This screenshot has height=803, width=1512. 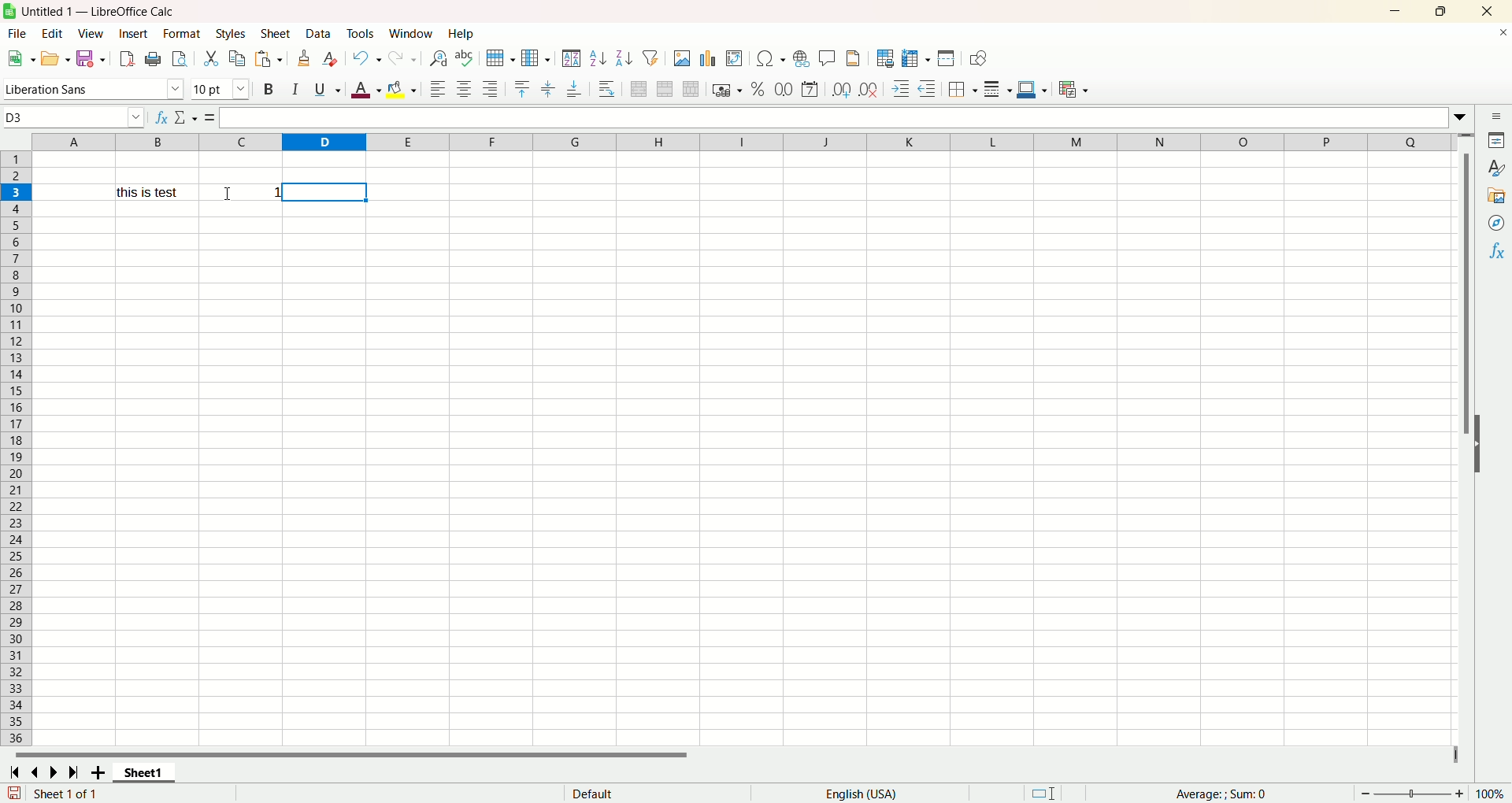 I want to click on header and footer, so click(x=855, y=58).